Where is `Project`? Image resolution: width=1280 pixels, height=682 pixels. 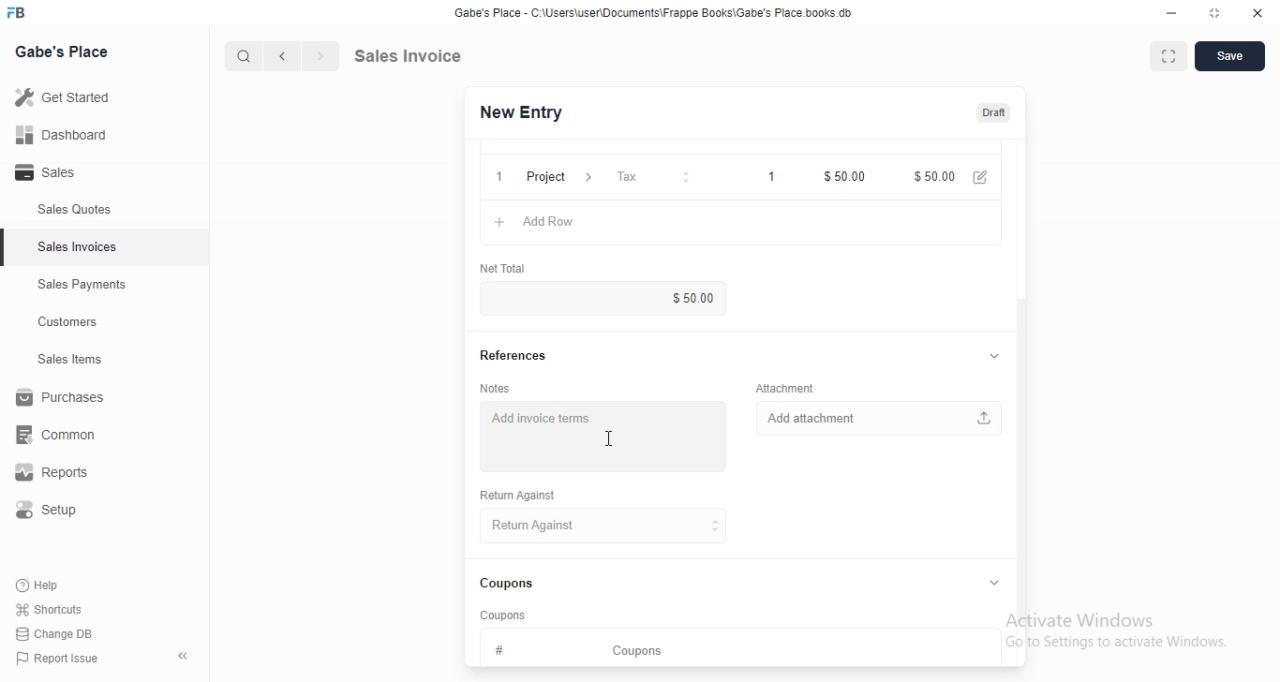
Project is located at coordinates (557, 175).